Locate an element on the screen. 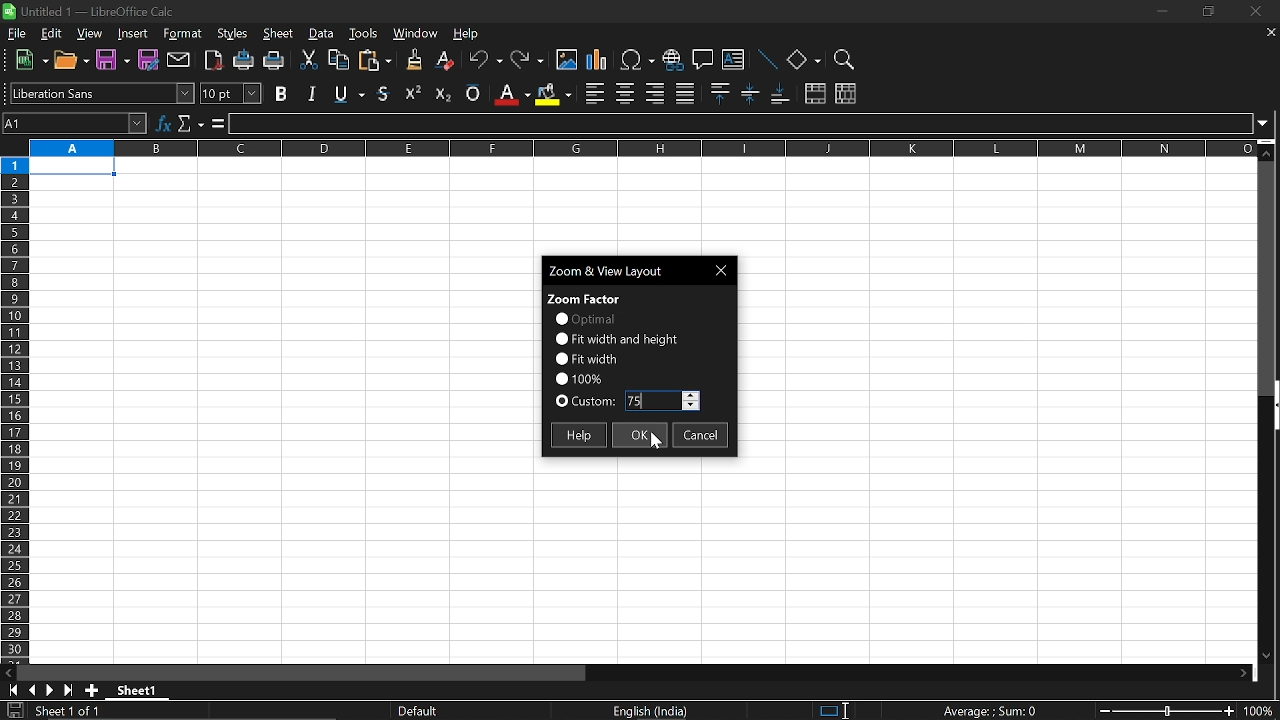  insert chart is located at coordinates (597, 61).